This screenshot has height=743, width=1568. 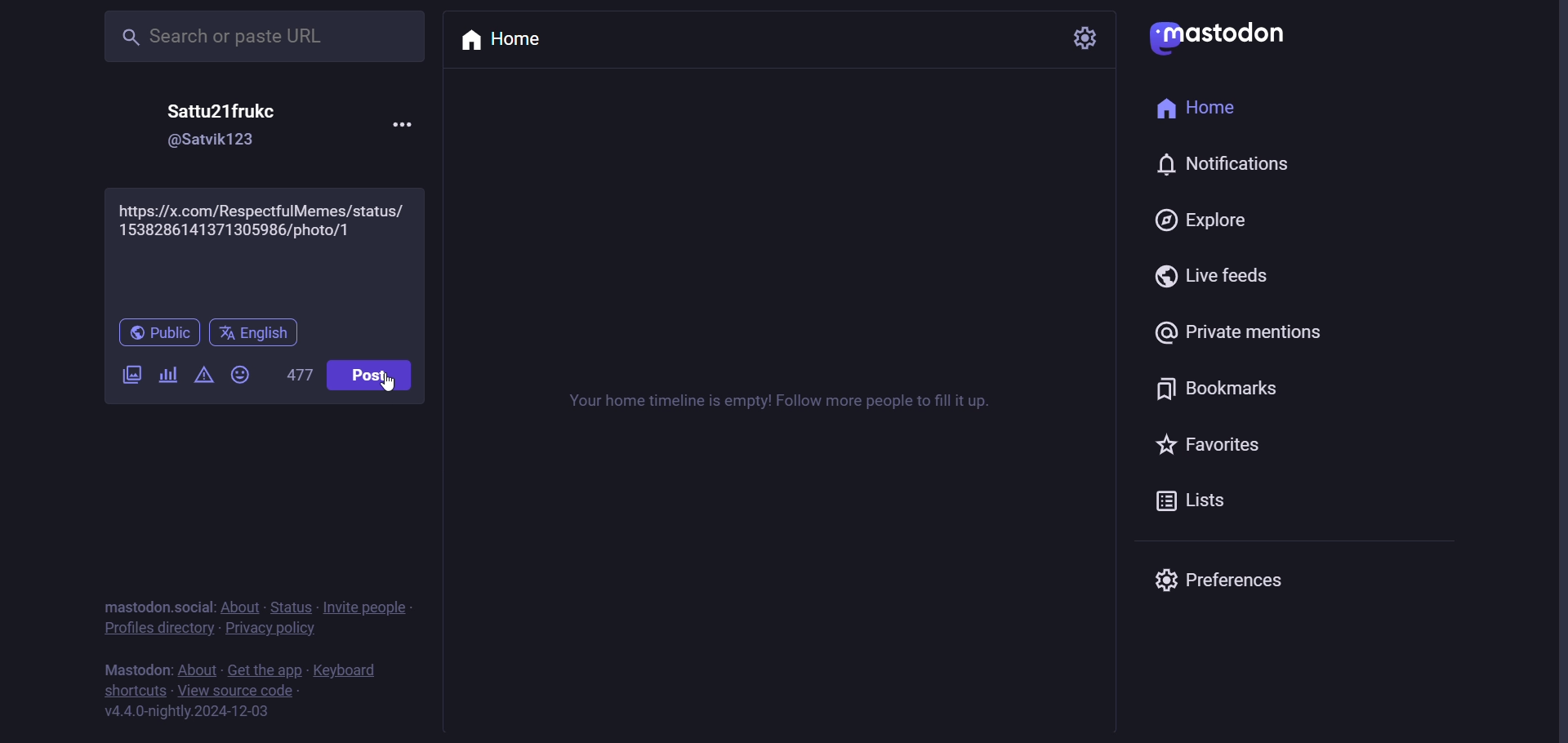 What do you see at coordinates (1234, 332) in the screenshot?
I see `private mentions` at bounding box center [1234, 332].